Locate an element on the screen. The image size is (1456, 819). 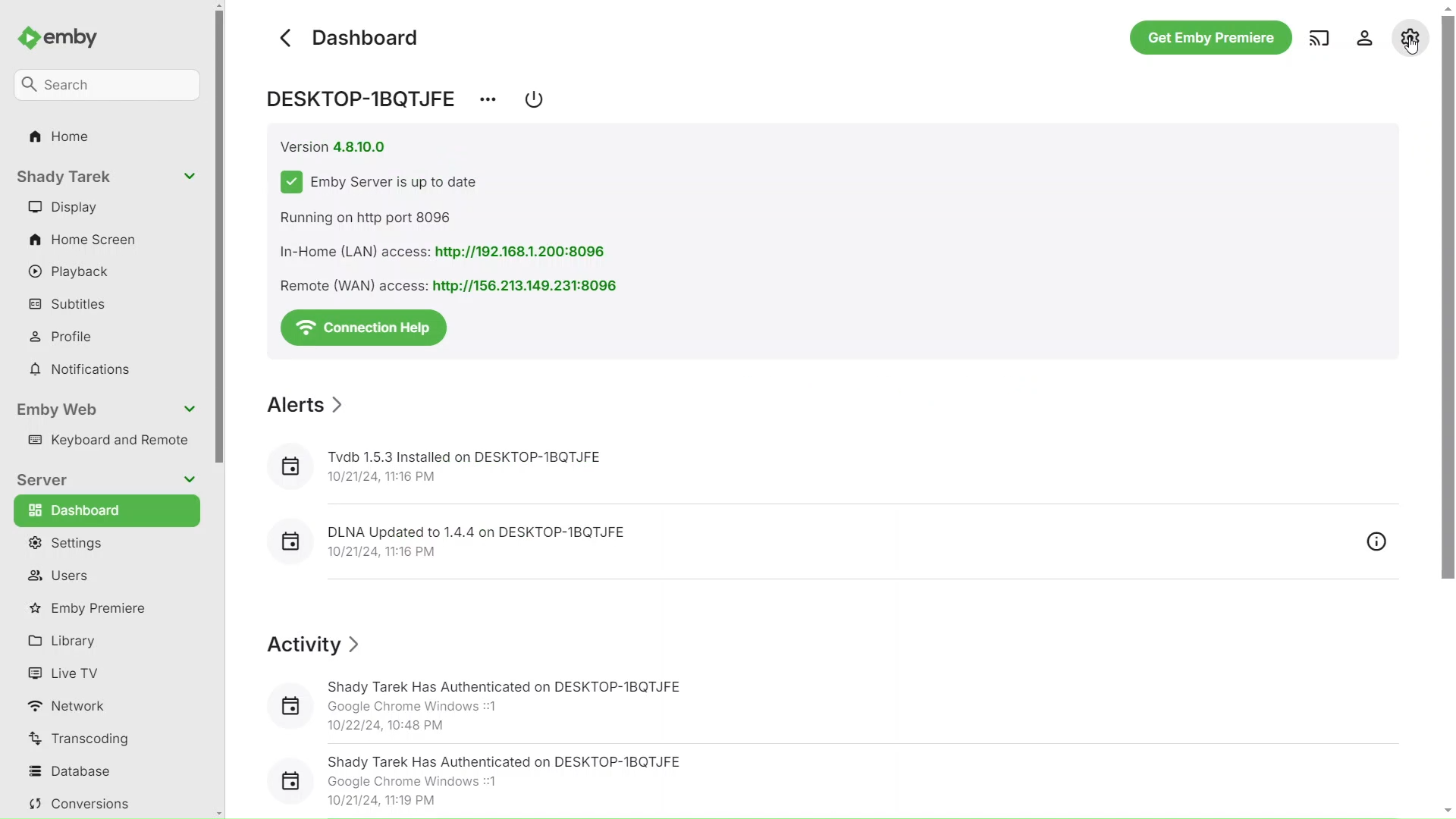
 Home is located at coordinates (61, 137).